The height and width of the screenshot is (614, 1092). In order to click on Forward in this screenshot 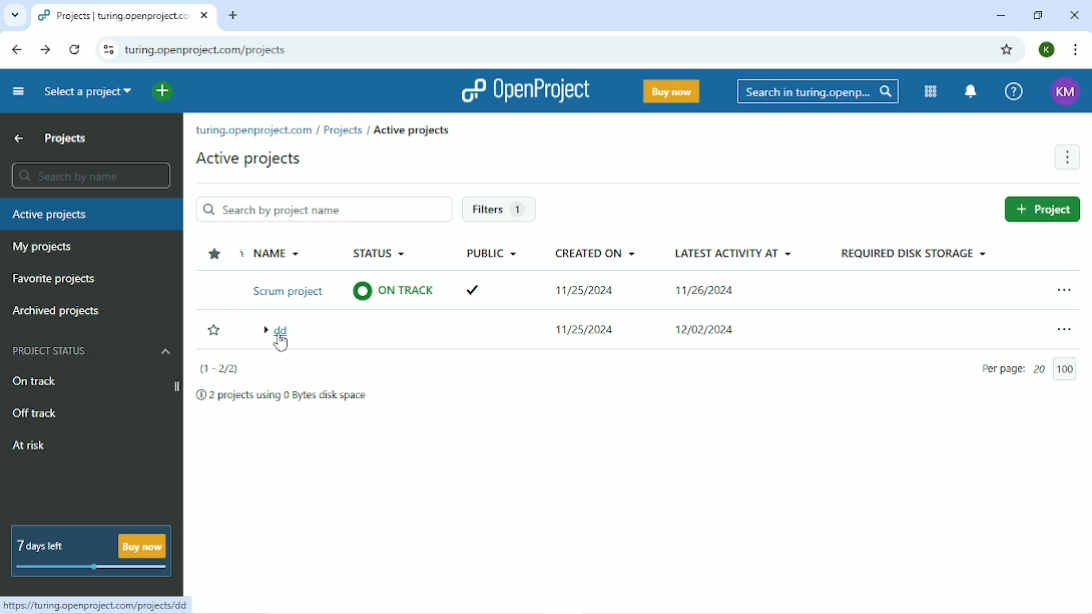, I will do `click(46, 49)`.